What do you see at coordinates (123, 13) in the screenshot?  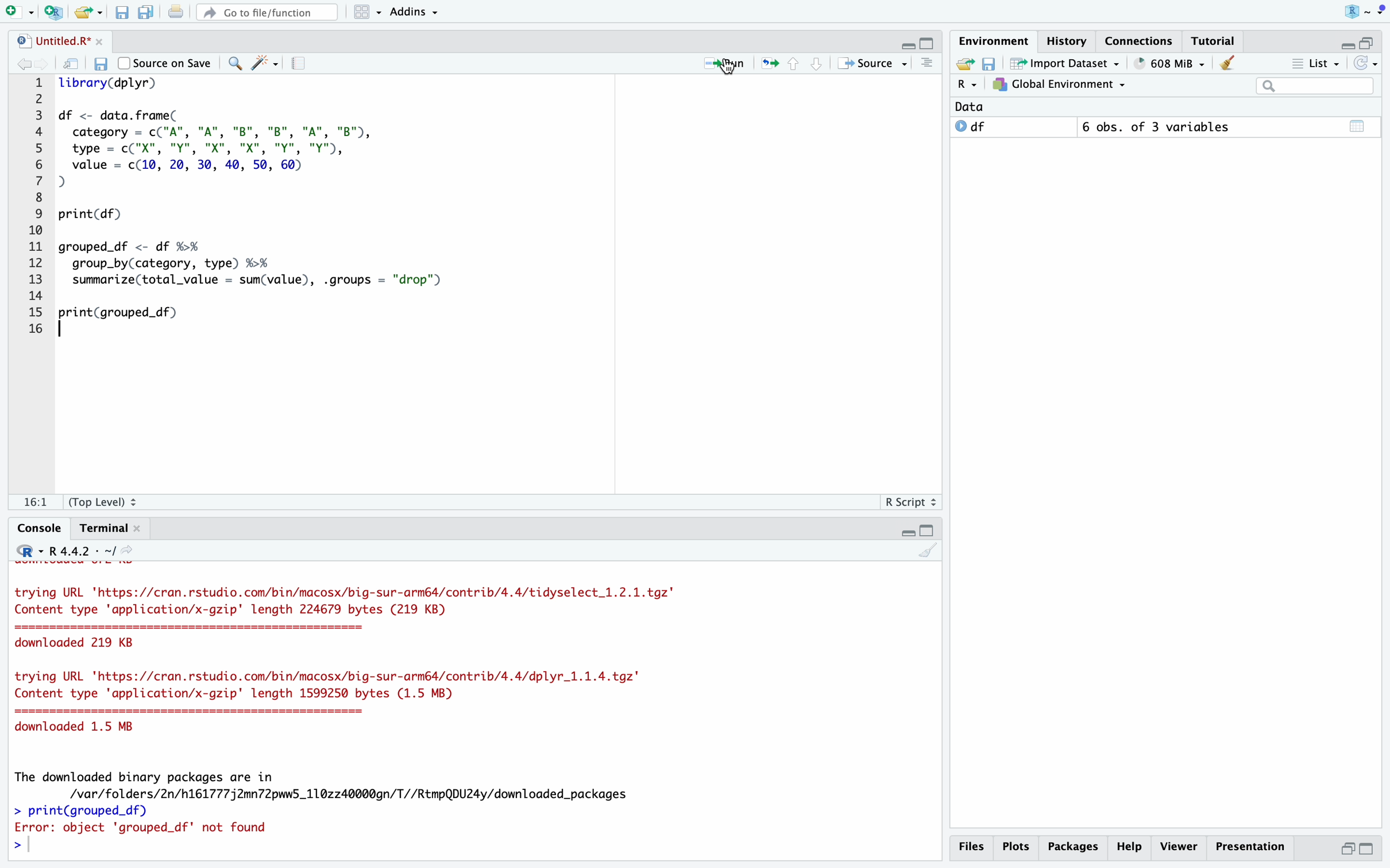 I see `Save current file` at bounding box center [123, 13].